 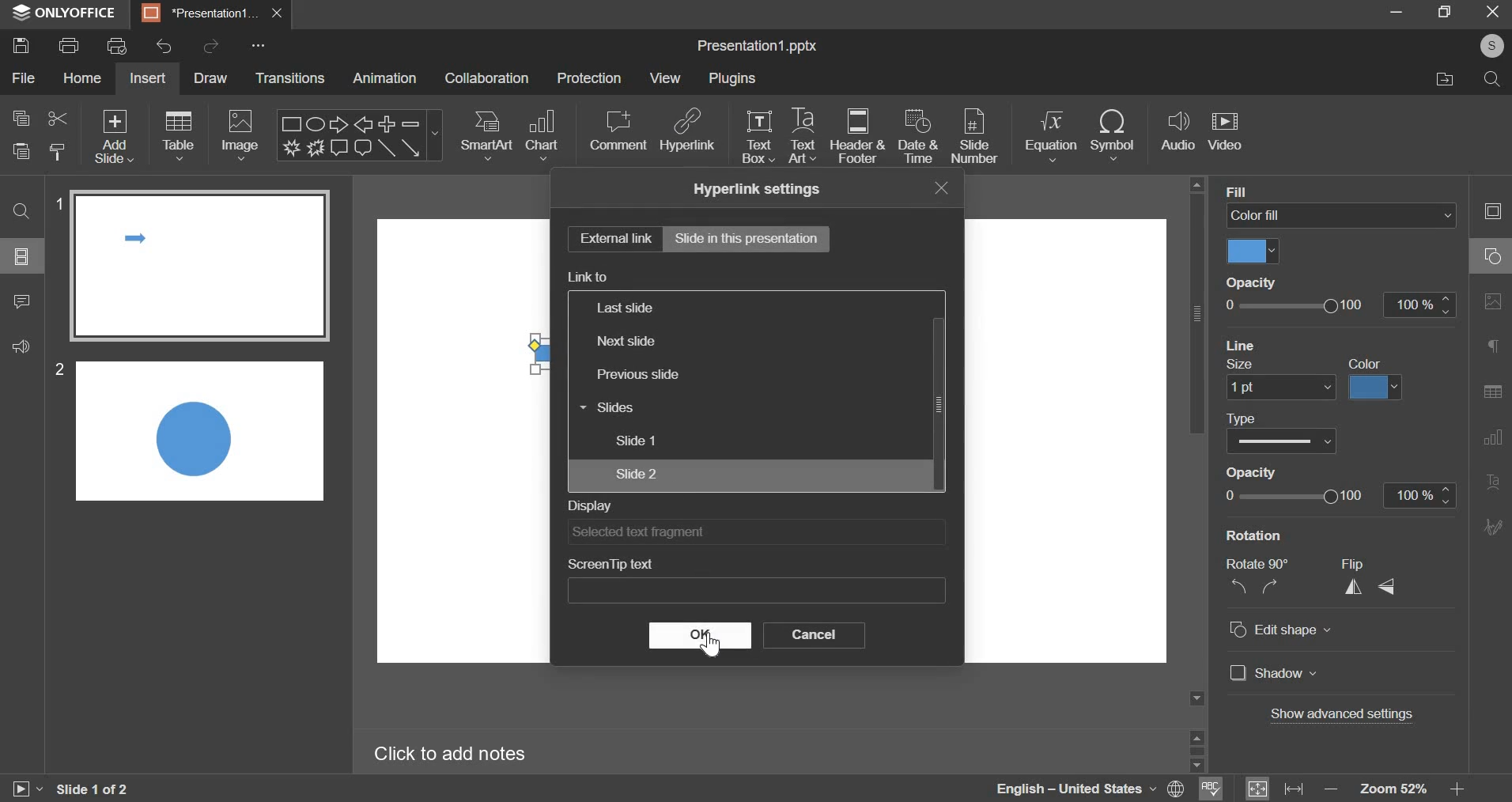 I want to click on external link, so click(x=610, y=240).